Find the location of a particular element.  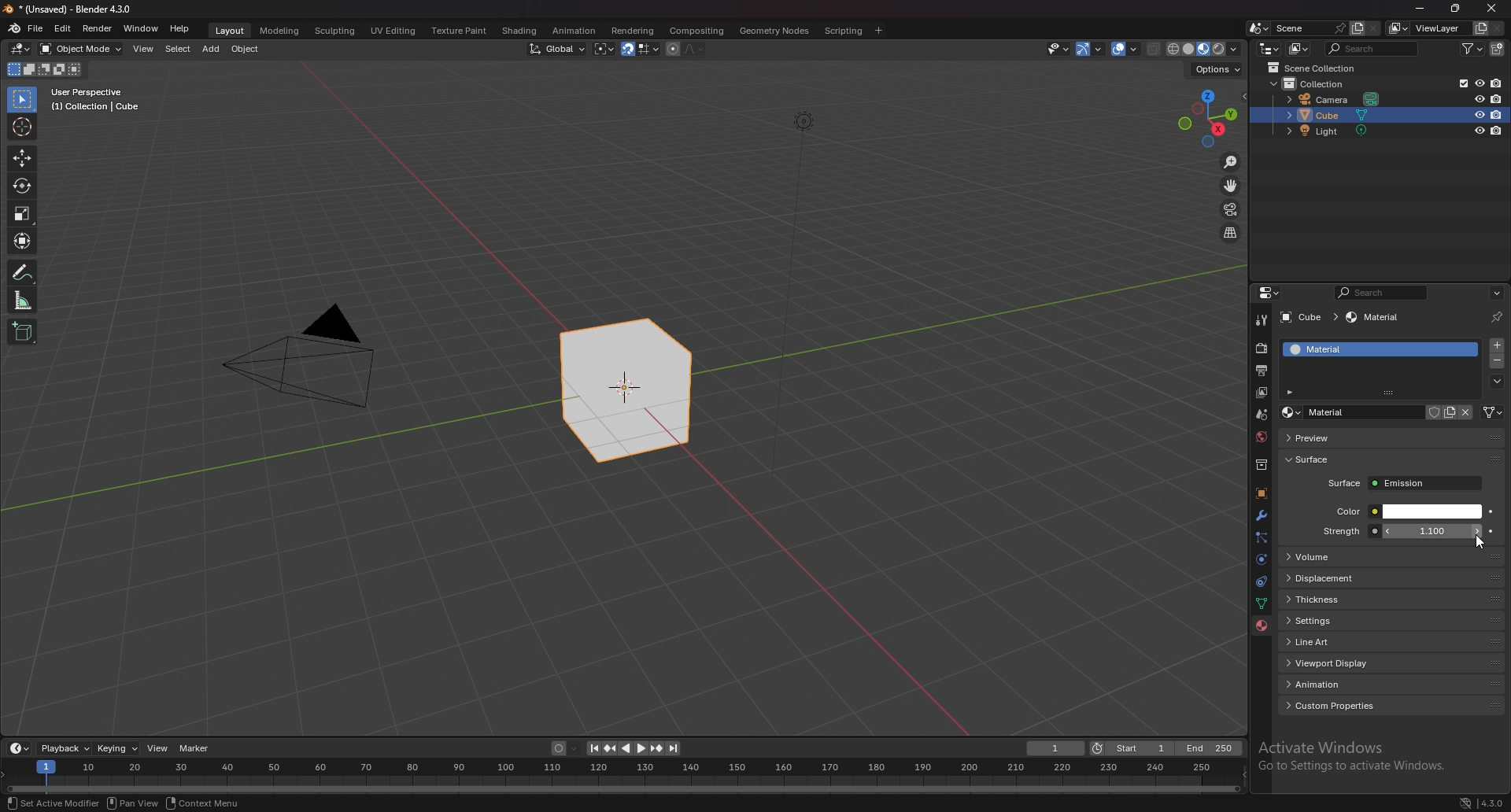

camera view is located at coordinates (1230, 210).